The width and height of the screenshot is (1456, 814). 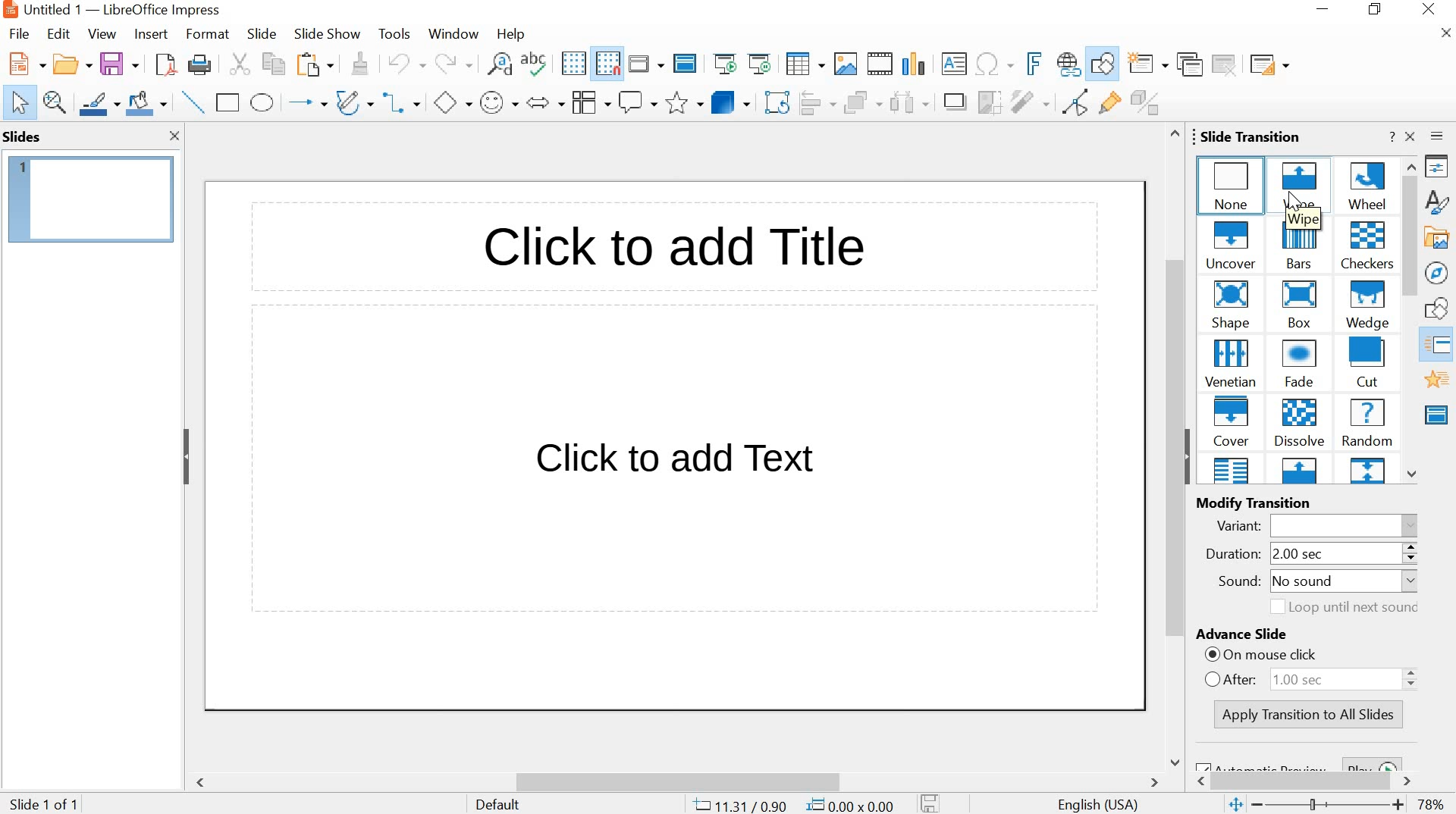 What do you see at coordinates (1320, 524) in the screenshot?
I see `VARIANT` at bounding box center [1320, 524].